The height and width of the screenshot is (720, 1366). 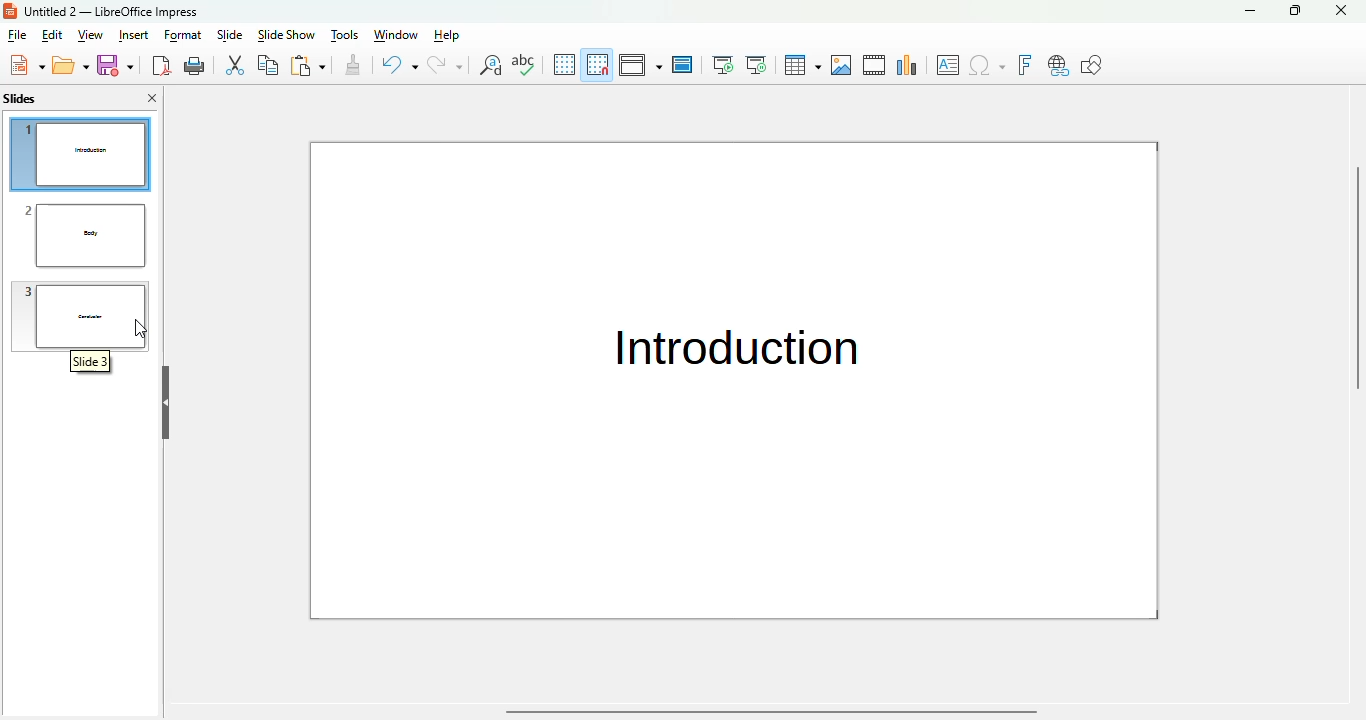 I want to click on snap to grid, so click(x=598, y=64).